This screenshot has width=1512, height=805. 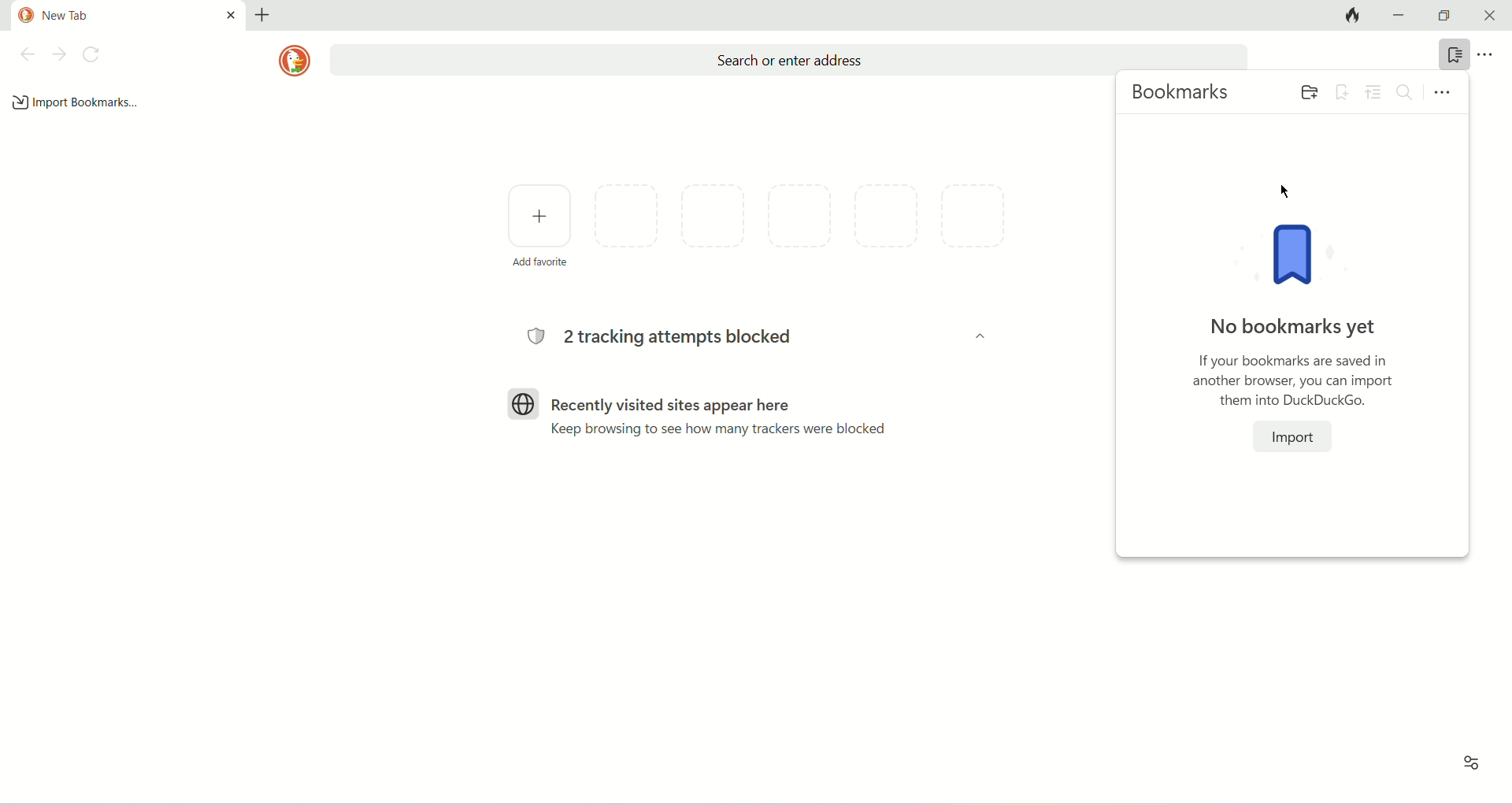 What do you see at coordinates (77, 102) in the screenshot?
I see `import bookmark` at bounding box center [77, 102].